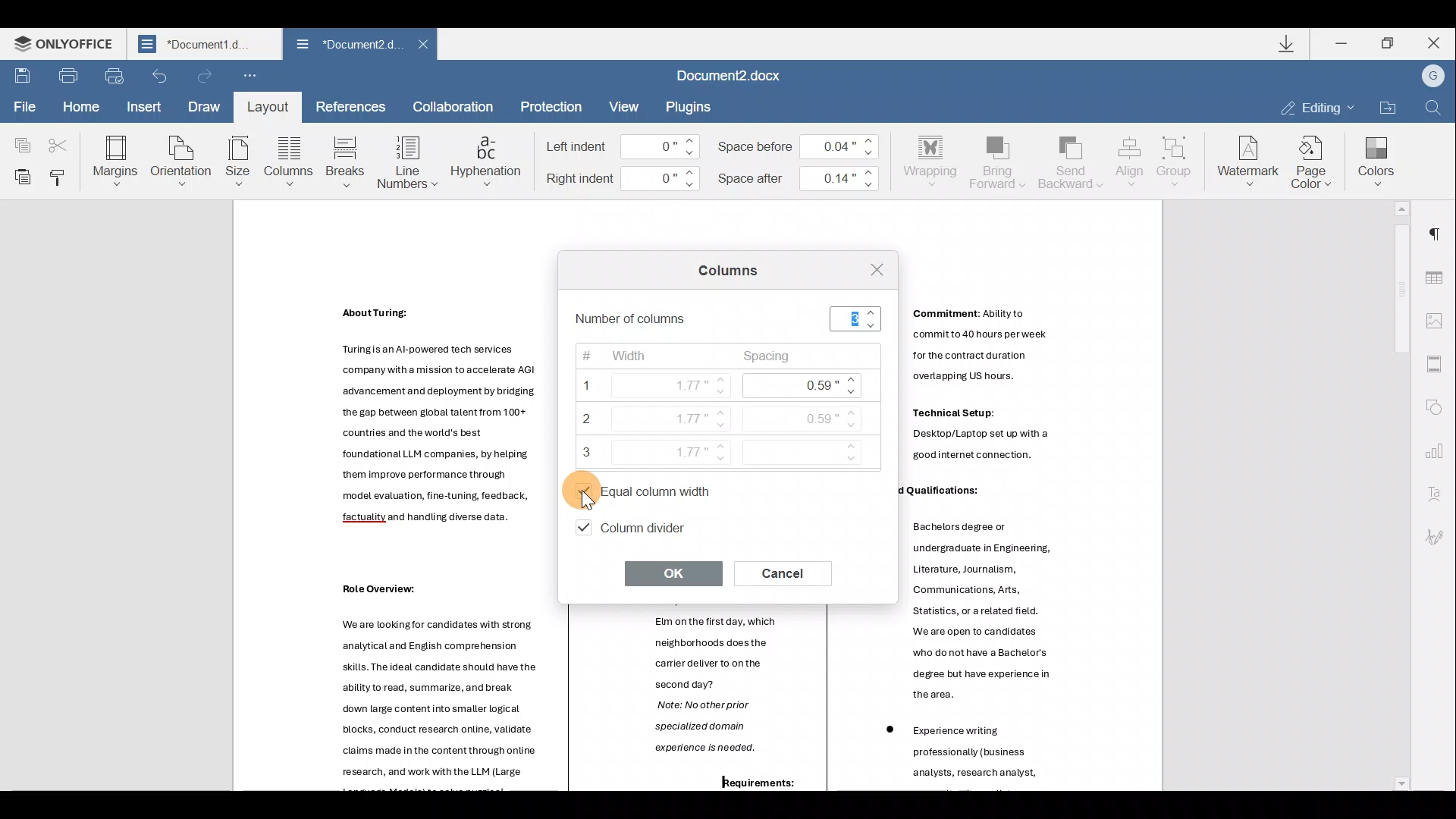 The width and height of the screenshot is (1456, 819). Describe the element at coordinates (1437, 495) in the screenshot. I see `Text Art settings` at that location.